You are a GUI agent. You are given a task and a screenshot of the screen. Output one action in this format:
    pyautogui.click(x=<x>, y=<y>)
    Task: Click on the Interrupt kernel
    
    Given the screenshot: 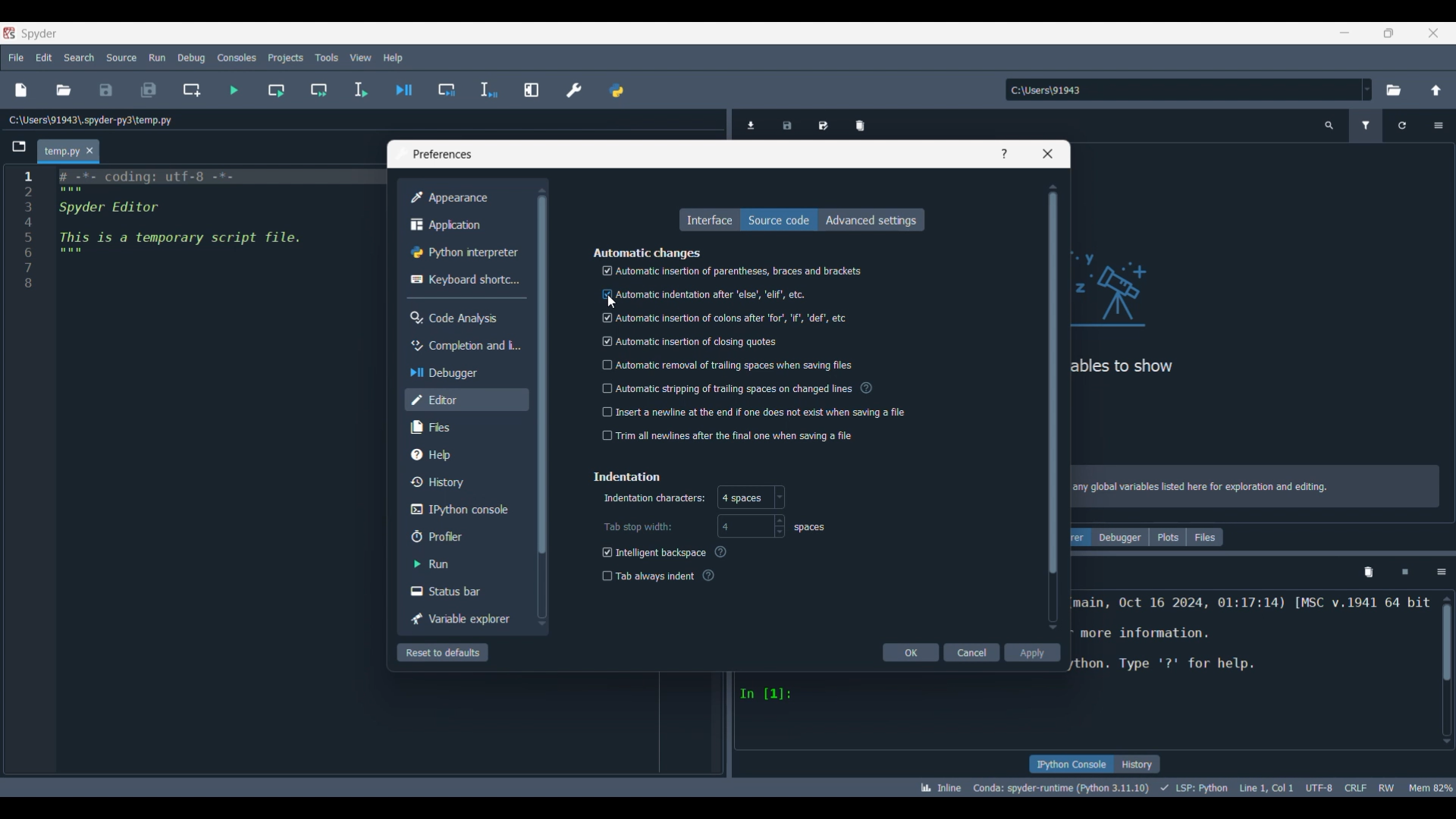 What is the action you would take?
    pyautogui.click(x=1405, y=573)
    